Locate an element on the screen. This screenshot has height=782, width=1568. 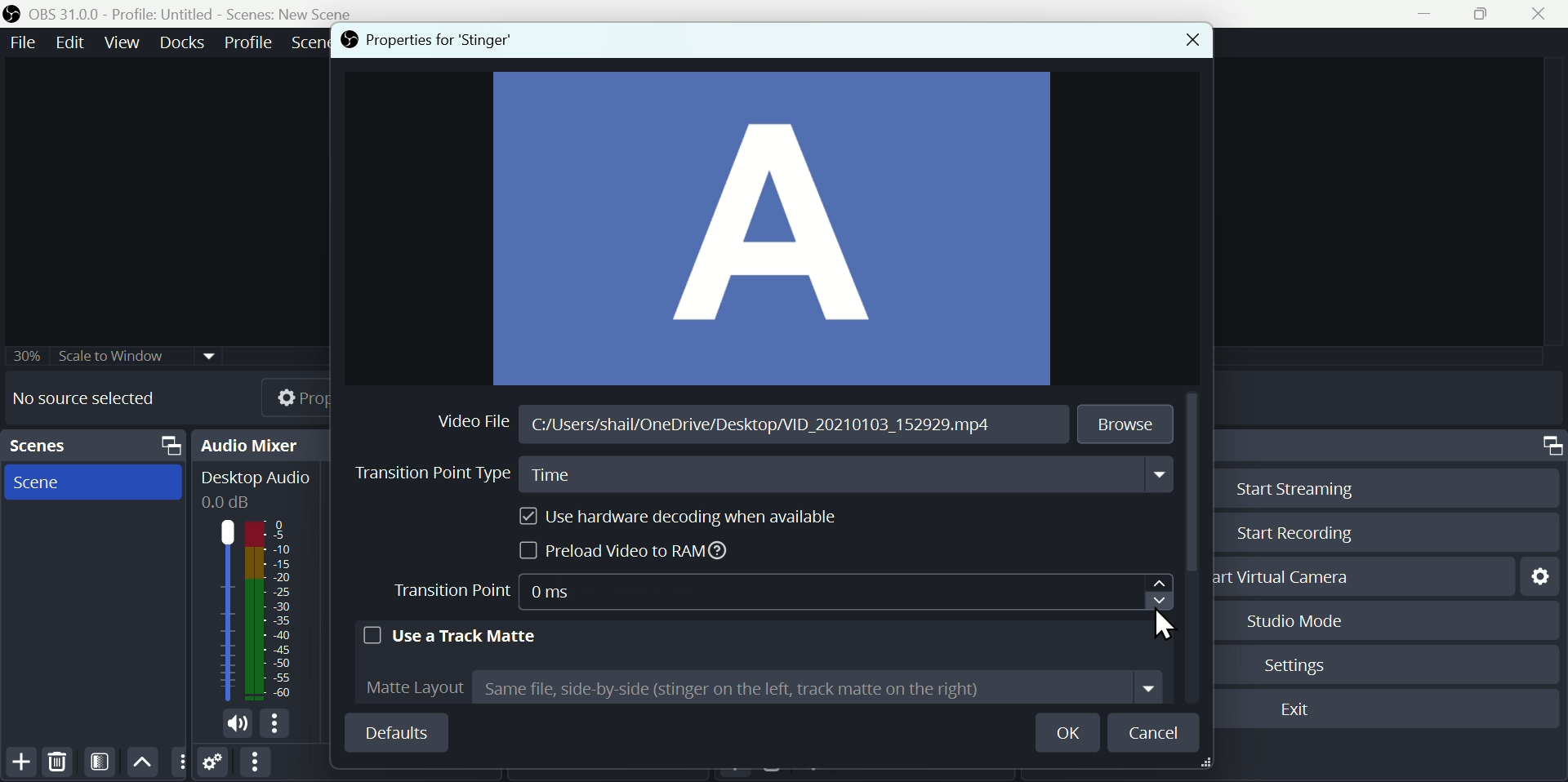
Up is located at coordinates (143, 761).